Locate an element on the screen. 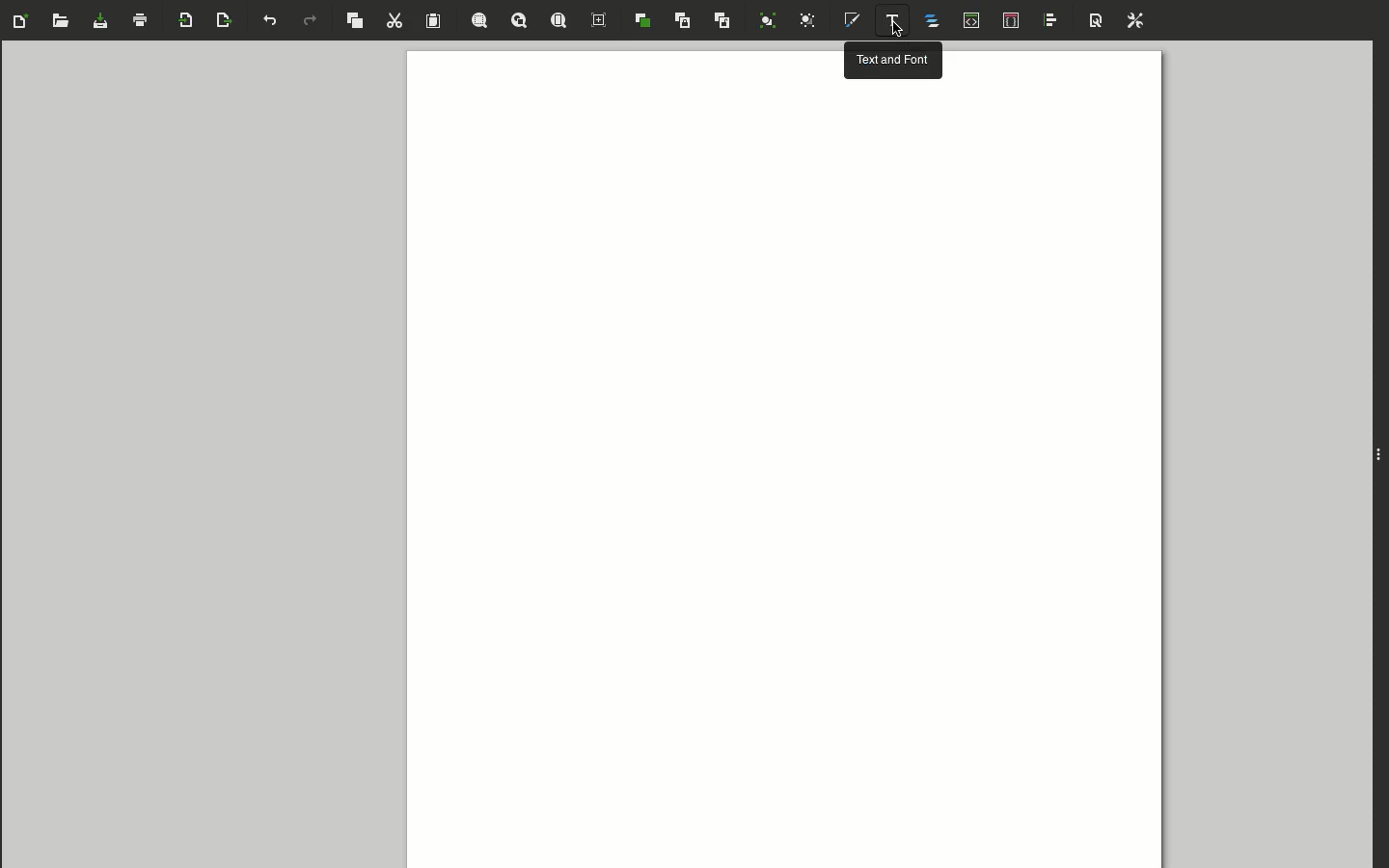 This screenshot has width=1389, height=868. Zoom page is located at coordinates (561, 19).